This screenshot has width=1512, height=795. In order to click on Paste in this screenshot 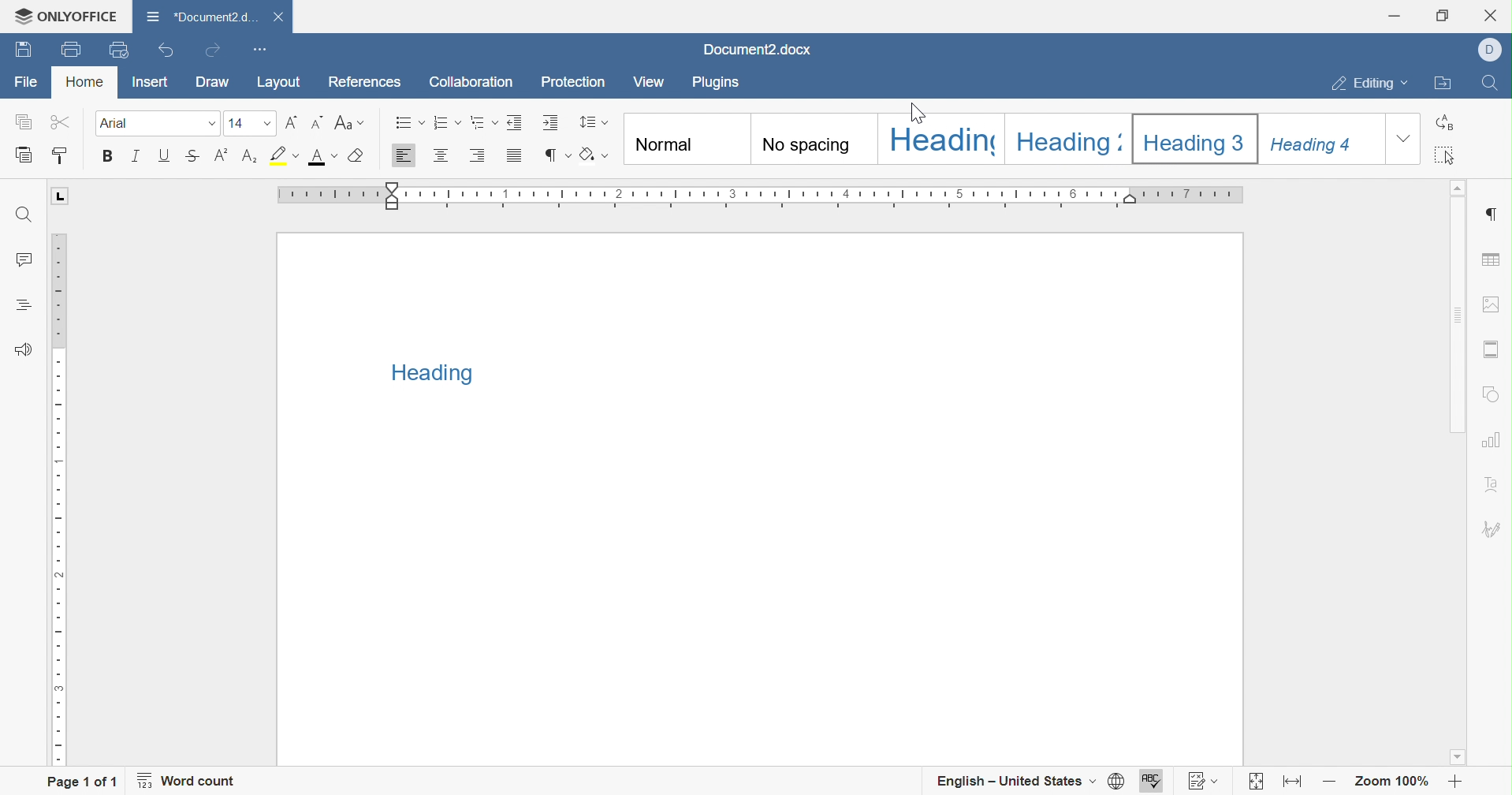, I will do `click(20, 155)`.